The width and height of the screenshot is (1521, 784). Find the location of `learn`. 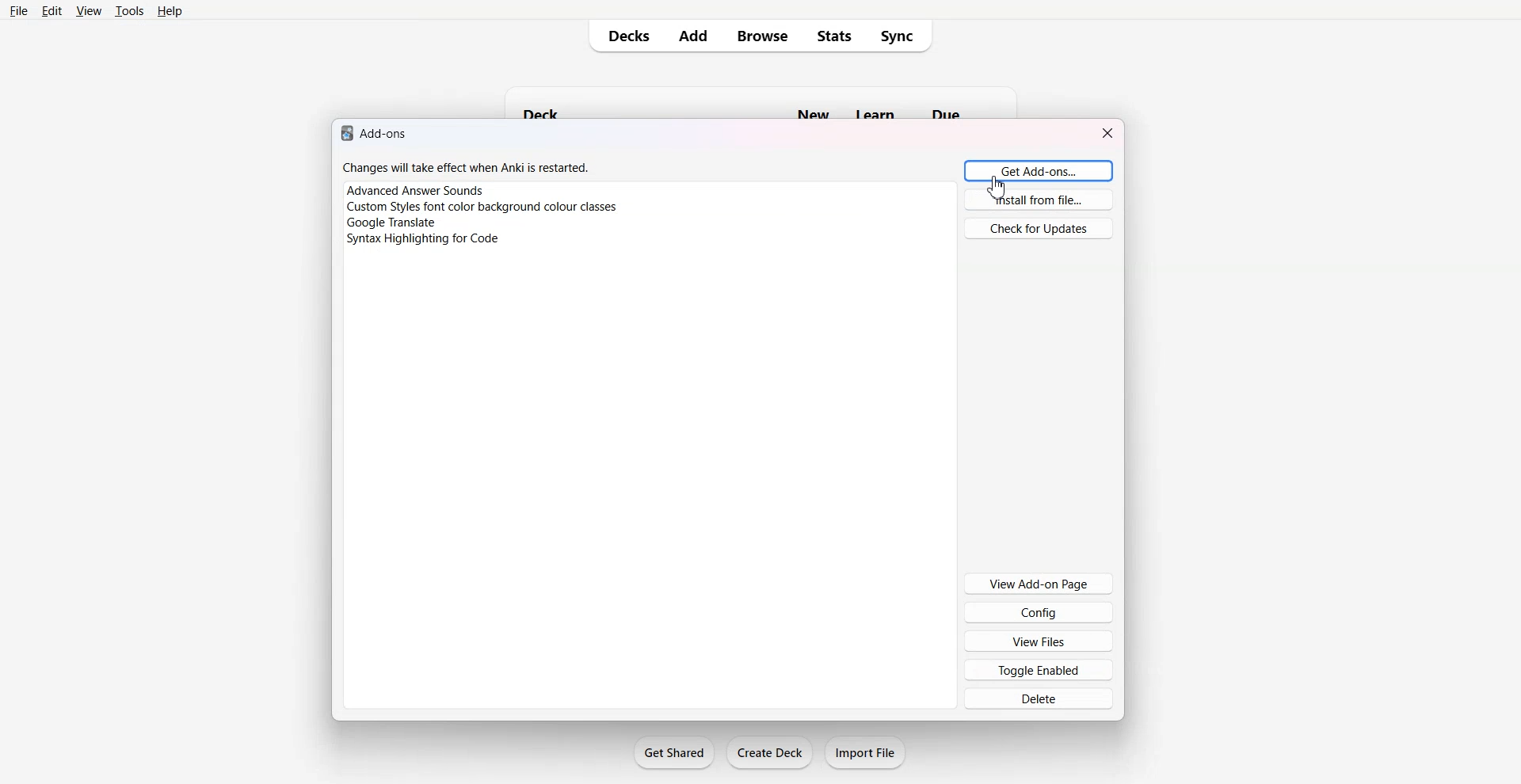

learn is located at coordinates (876, 113).